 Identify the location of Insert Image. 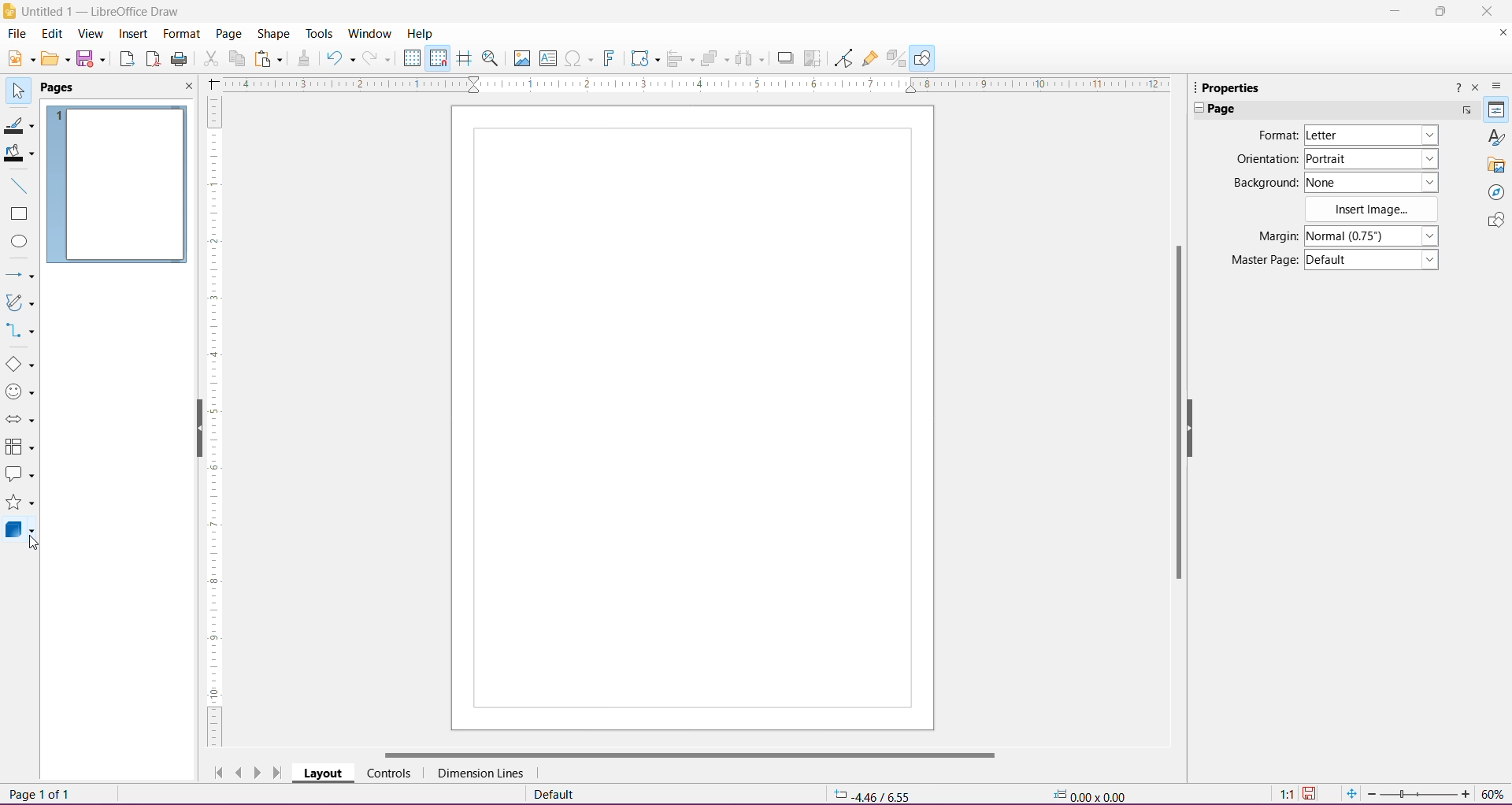
(1374, 210).